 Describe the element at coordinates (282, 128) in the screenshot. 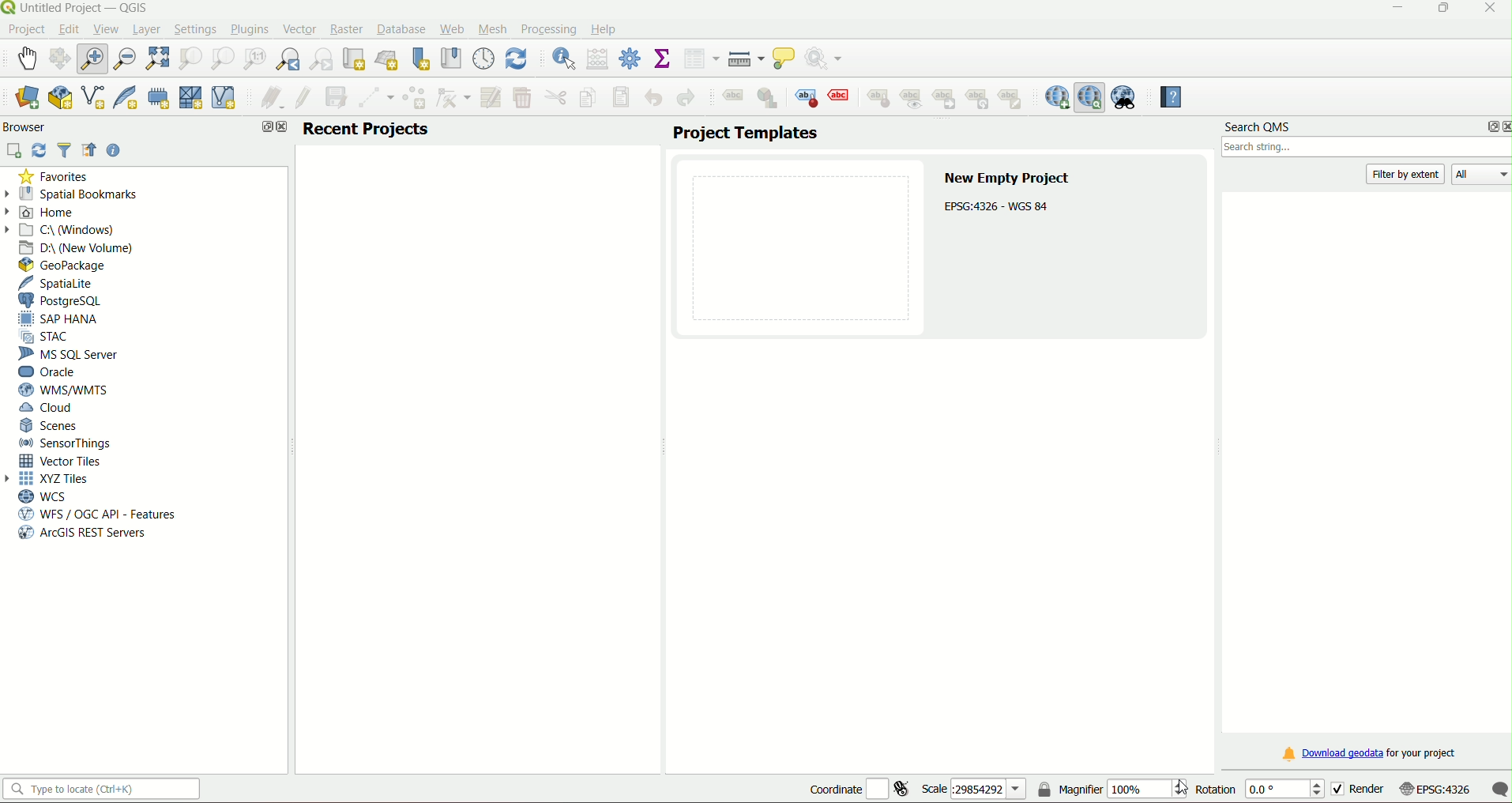

I see `close` at that location.